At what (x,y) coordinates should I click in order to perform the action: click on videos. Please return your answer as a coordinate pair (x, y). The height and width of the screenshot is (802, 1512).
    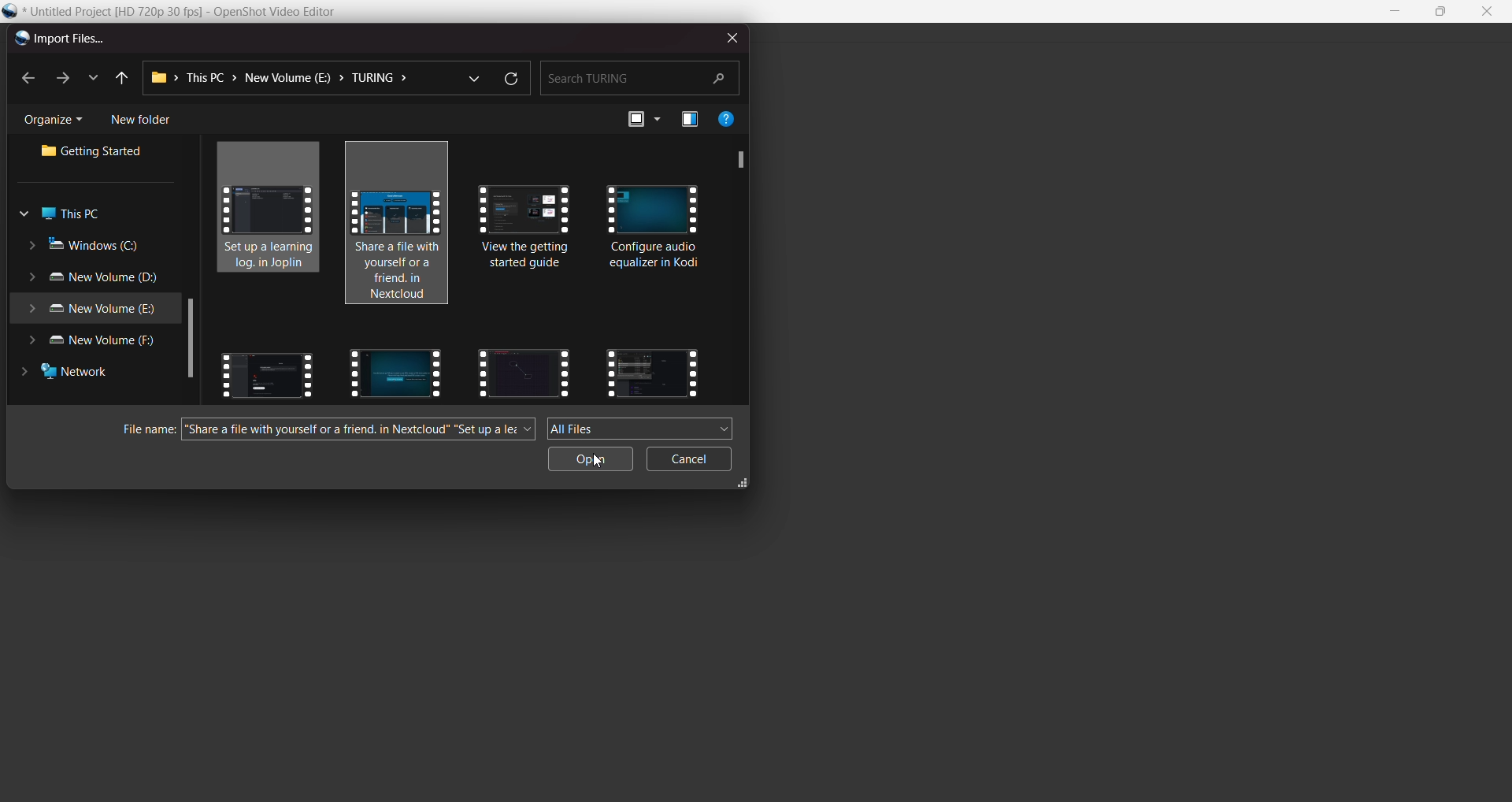
    Looking at the image, I should click on (267, 371).